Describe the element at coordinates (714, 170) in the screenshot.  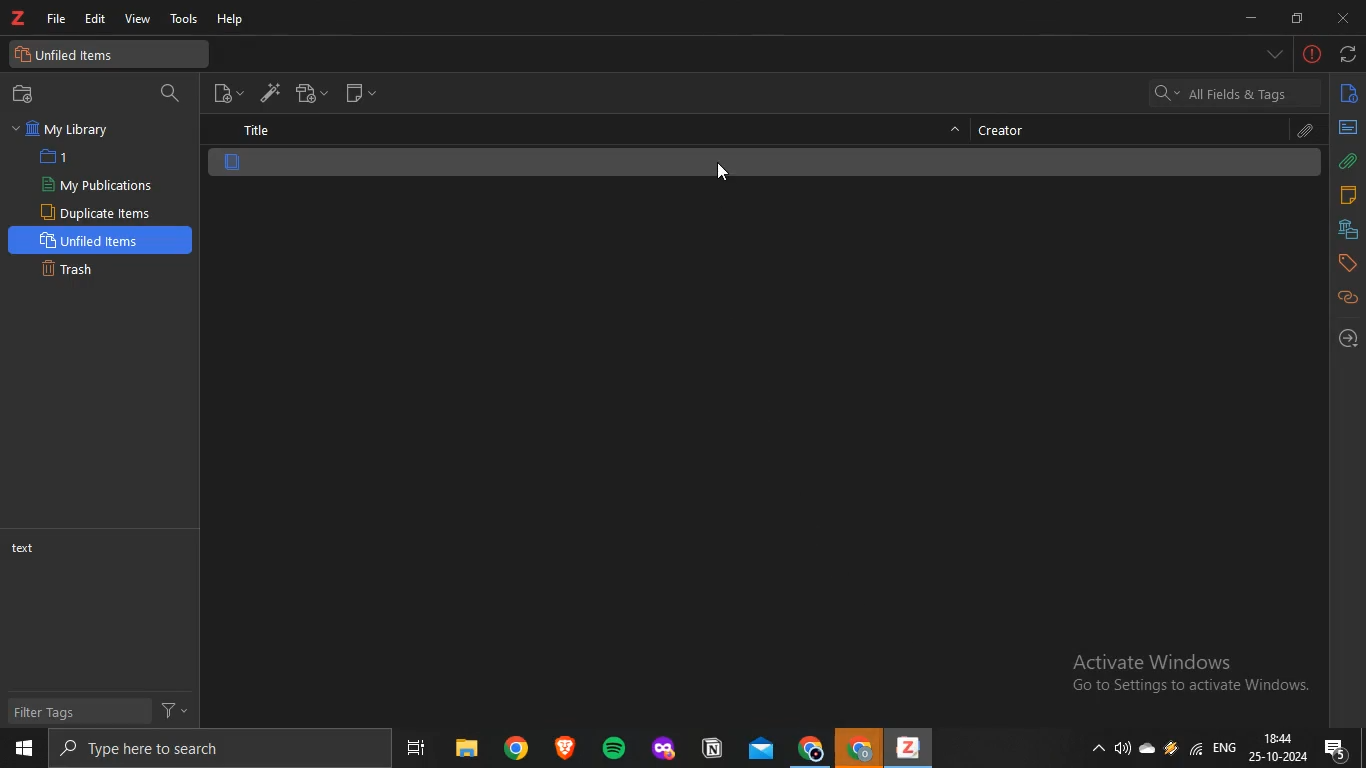
I see `cursor` at that location.